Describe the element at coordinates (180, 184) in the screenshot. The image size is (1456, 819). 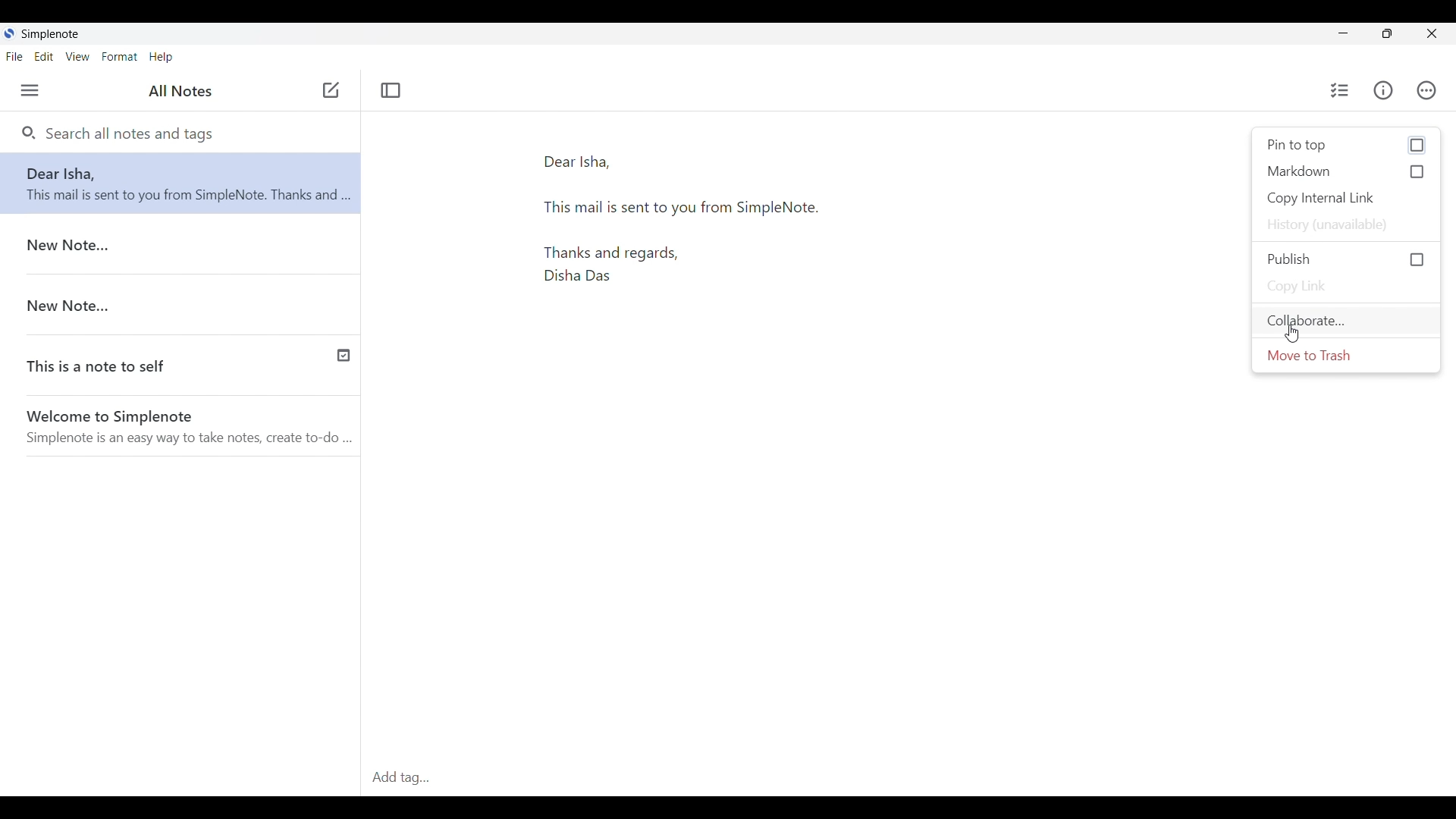
I see `Note-Dear Disha` at that location.